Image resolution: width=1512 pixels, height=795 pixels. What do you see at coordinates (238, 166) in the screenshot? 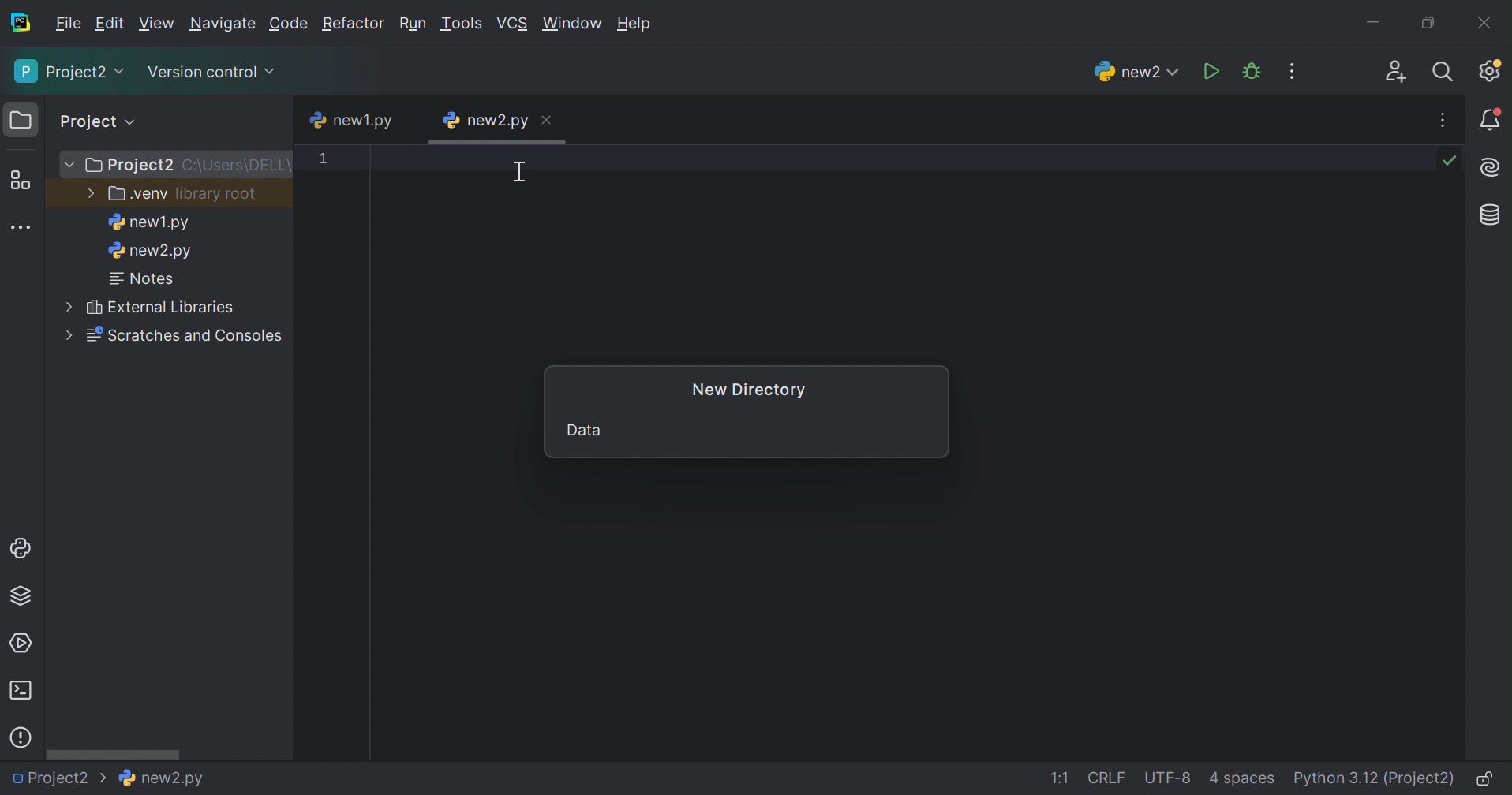
I see `C:\Users\DELL\` at bounding box center [238, 166].